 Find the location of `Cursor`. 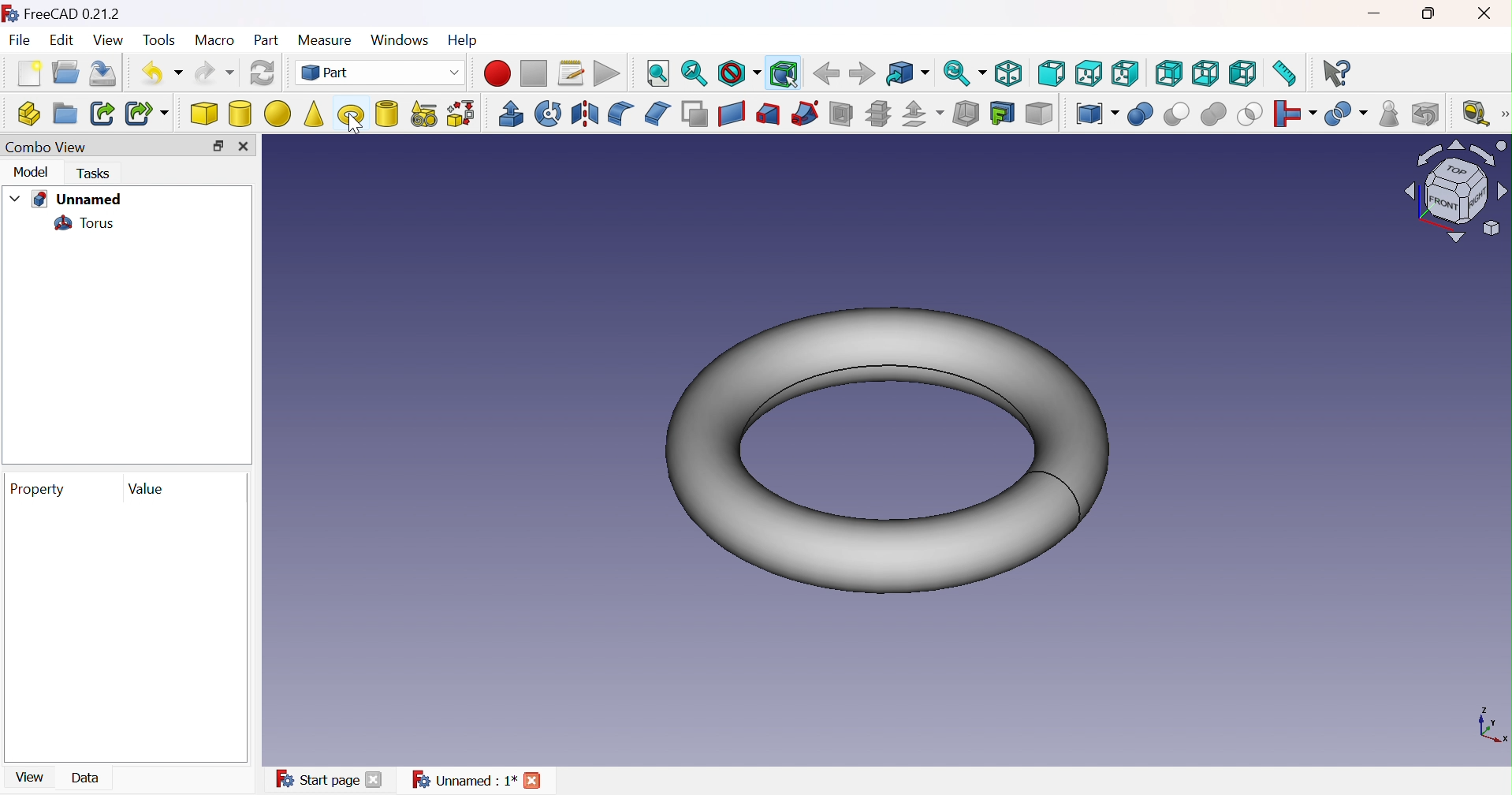

Cursor is located at coordinates (356, 123).